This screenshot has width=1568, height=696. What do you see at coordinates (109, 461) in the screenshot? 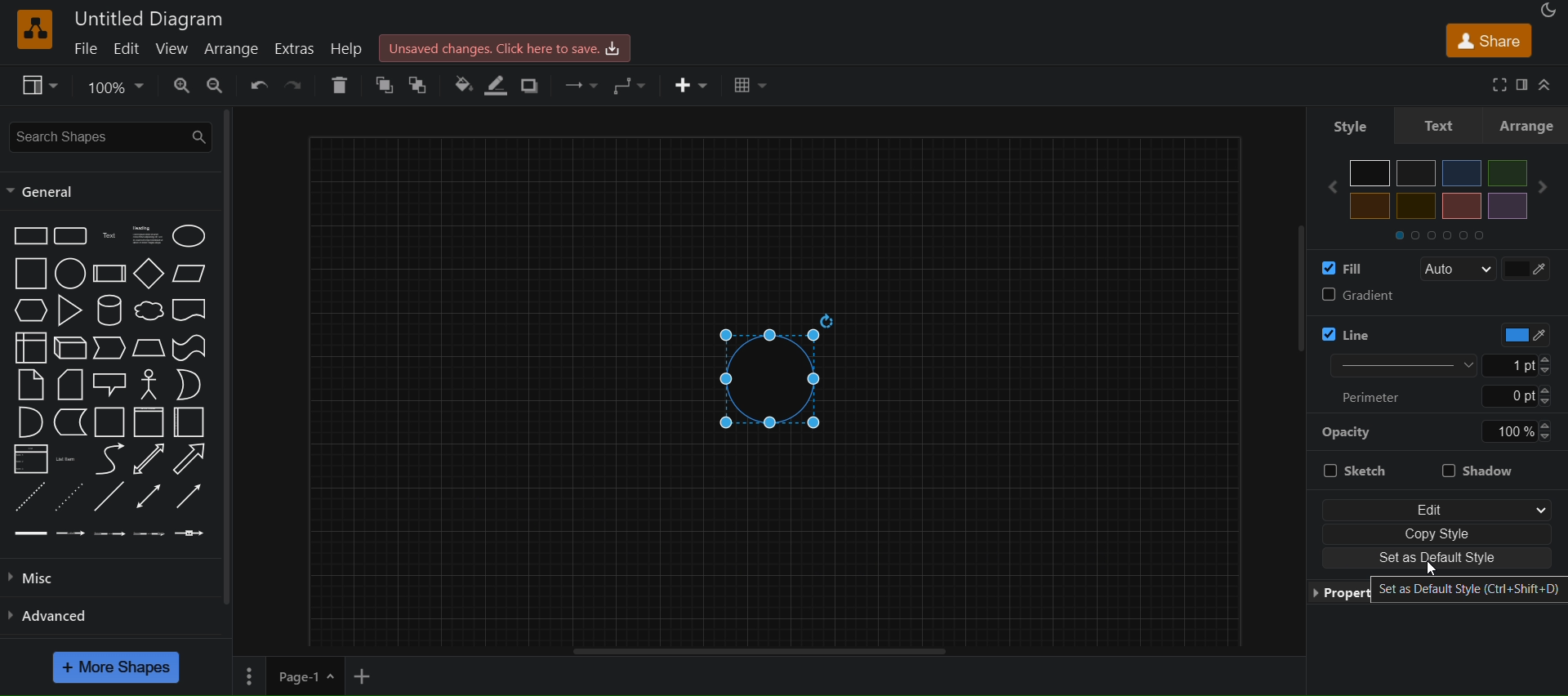
I see `curve` at bounding box center [109, 461].